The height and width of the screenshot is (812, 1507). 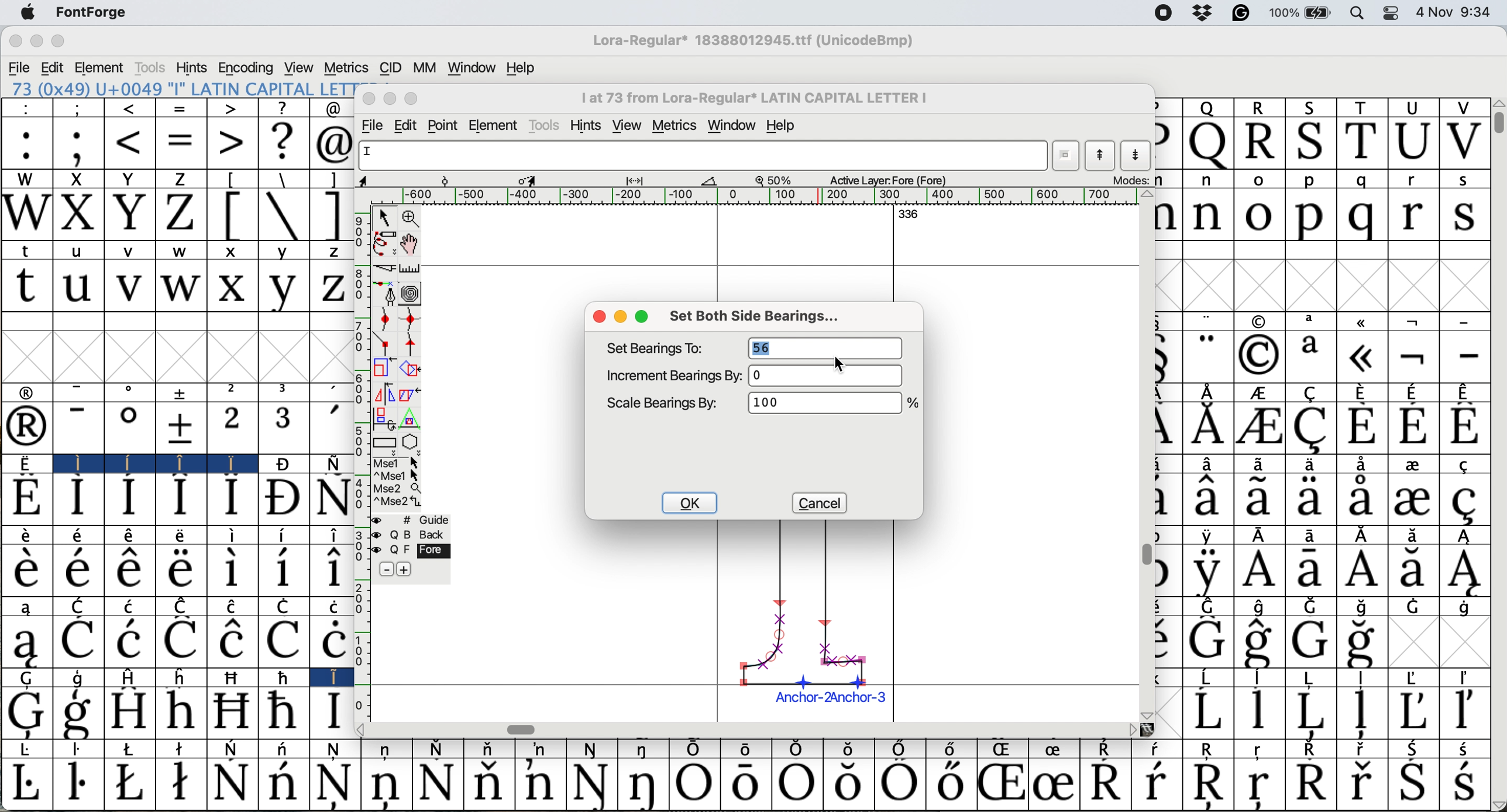 I want to click on glyph name, so click(x=699, y=156).